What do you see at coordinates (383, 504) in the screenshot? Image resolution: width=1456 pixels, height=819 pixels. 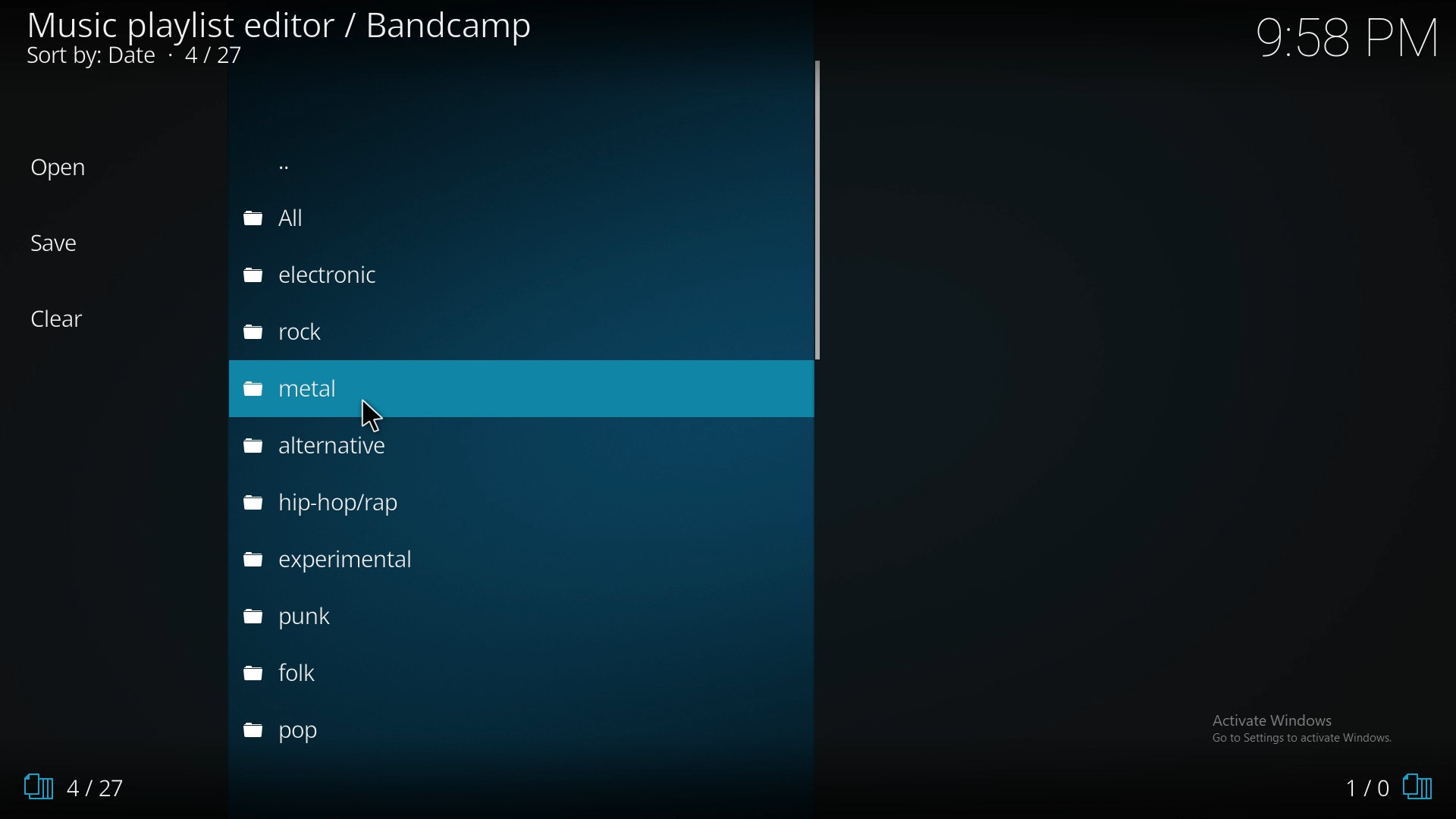 I see `music genre` at bounding box center [383, 504].